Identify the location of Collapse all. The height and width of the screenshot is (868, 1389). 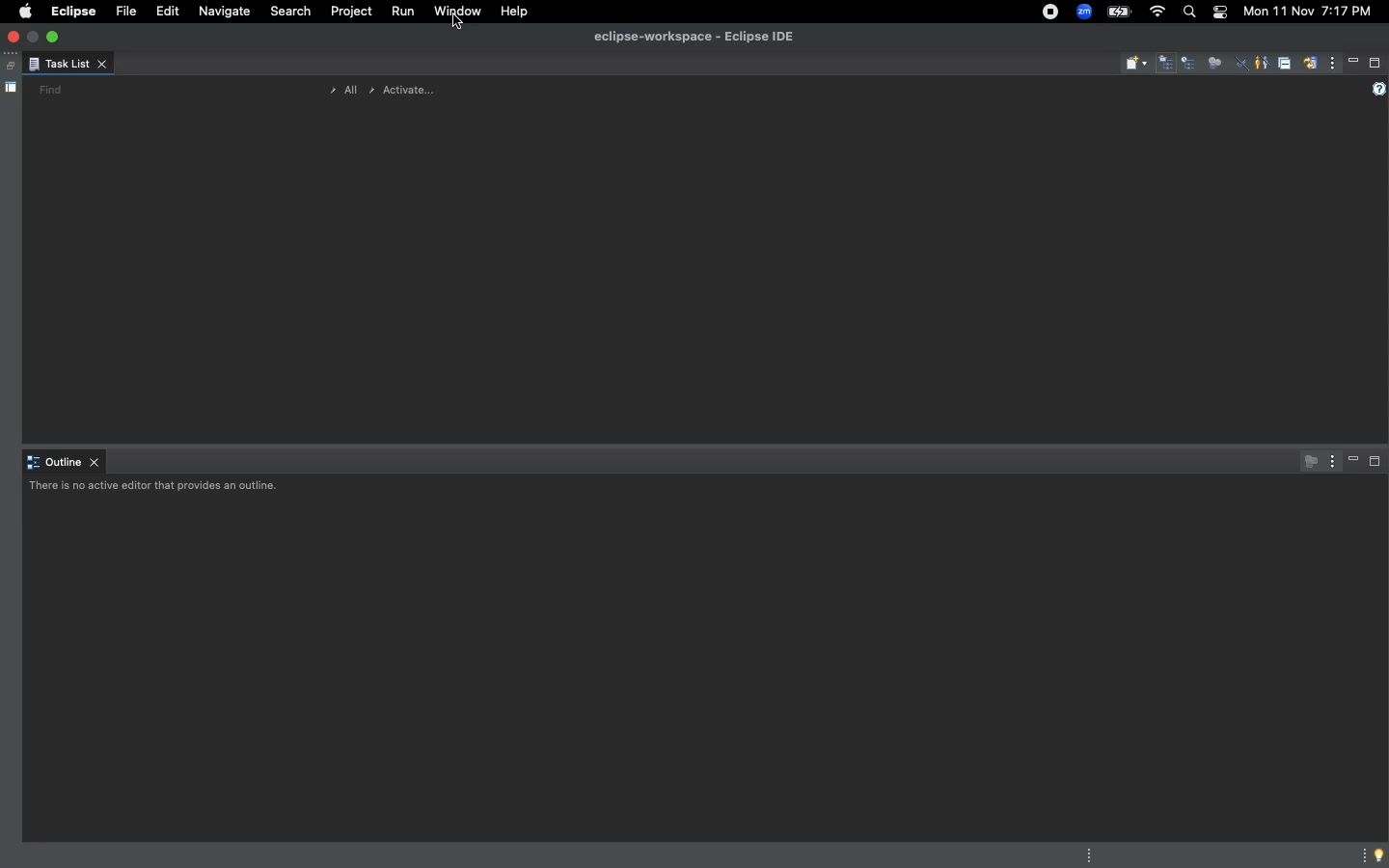
(1284, 66).